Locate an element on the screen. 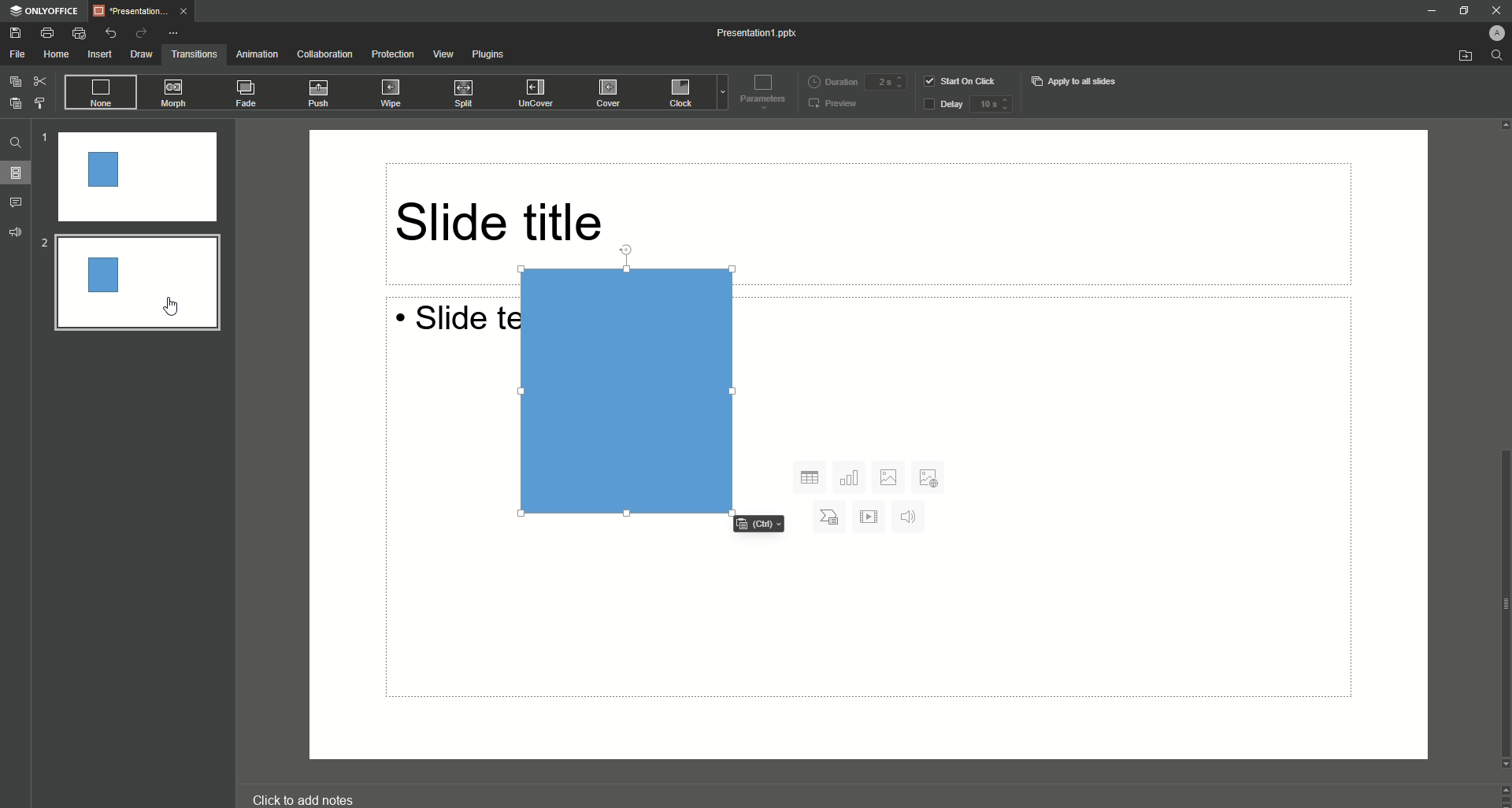 The image size is (1512, 808). Photo is located at coordinates (891, 476).